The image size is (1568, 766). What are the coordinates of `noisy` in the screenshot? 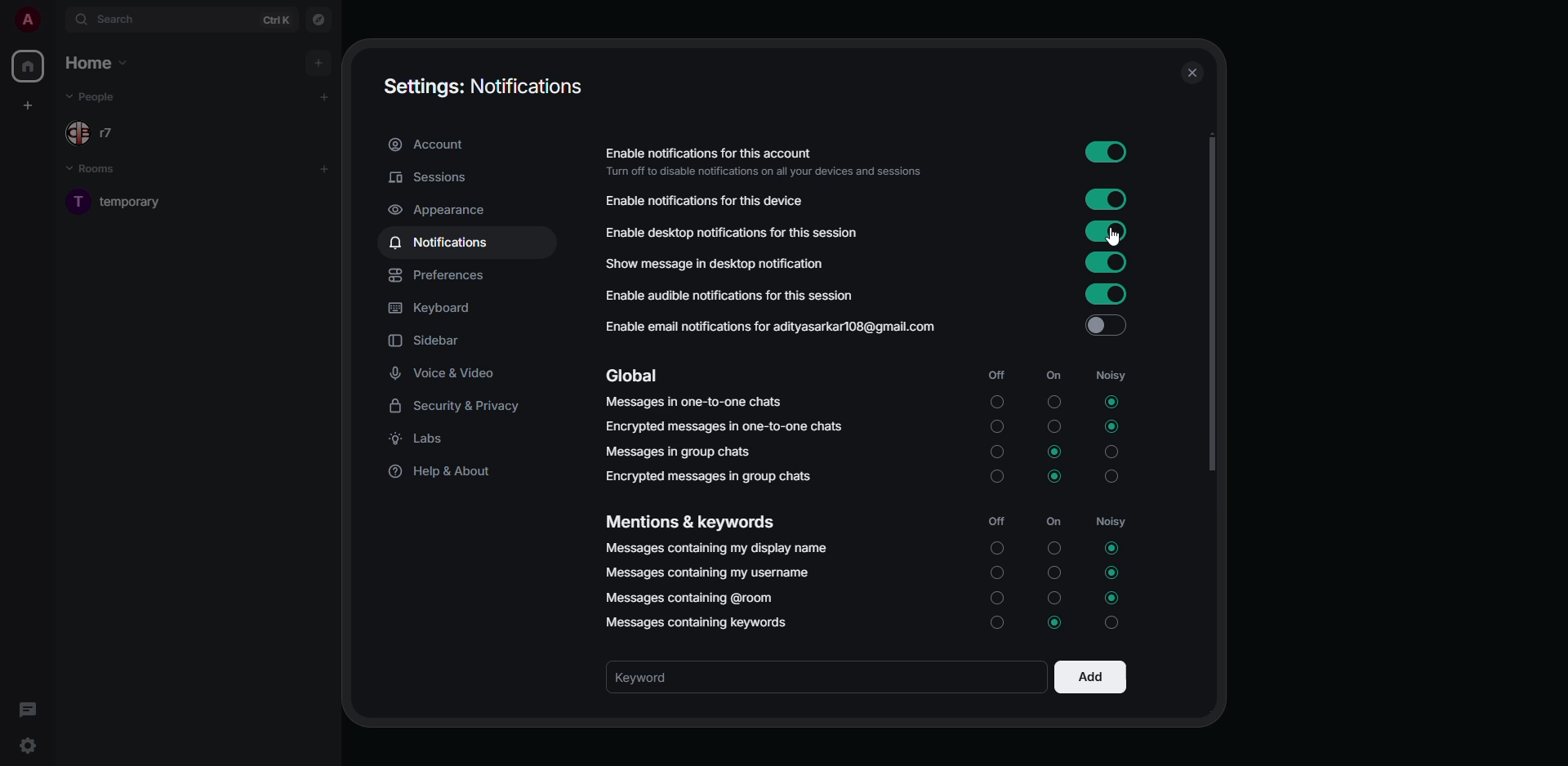 It's located at (1111, 479).